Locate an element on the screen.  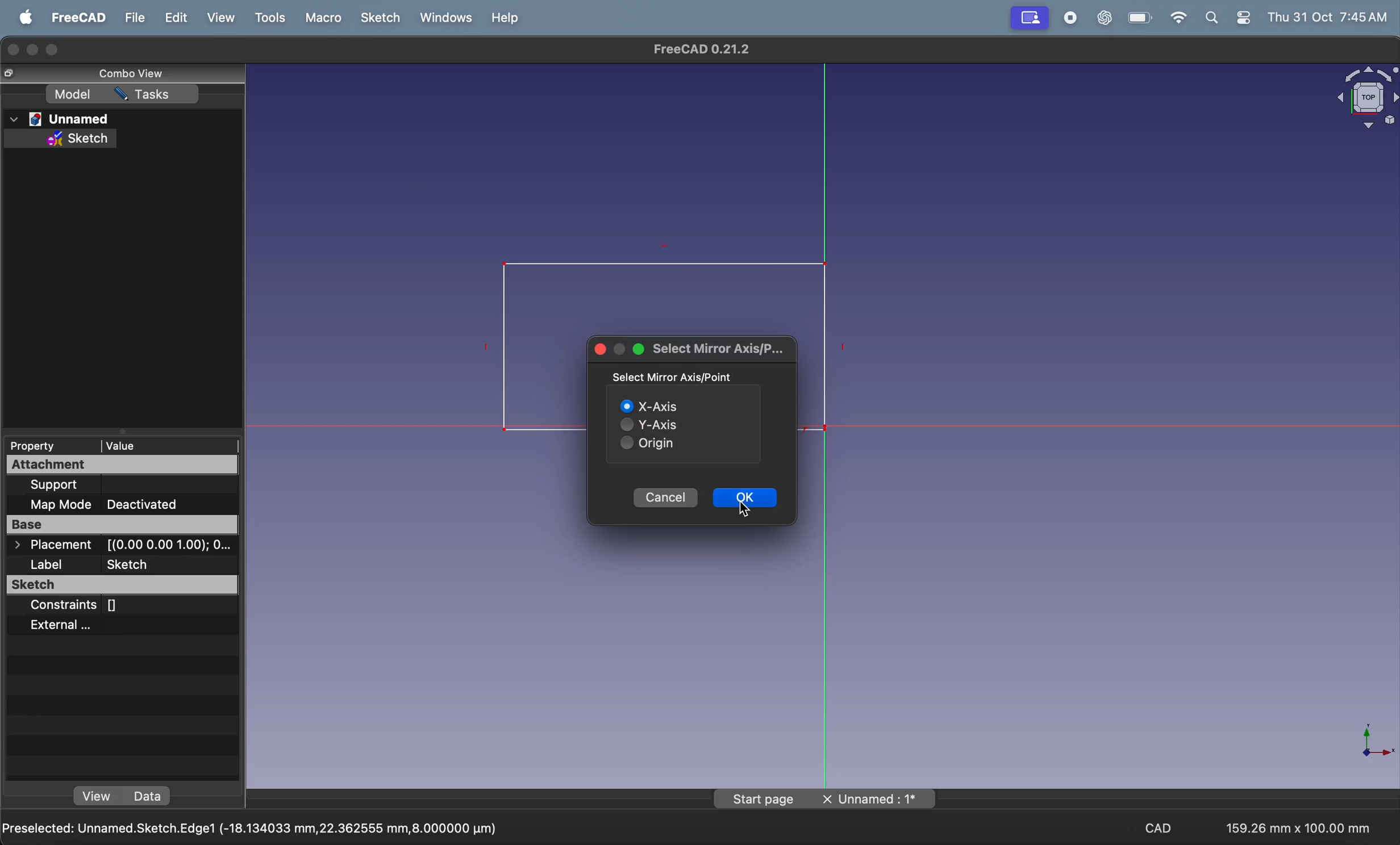
property is located at coordinates (47, 444).